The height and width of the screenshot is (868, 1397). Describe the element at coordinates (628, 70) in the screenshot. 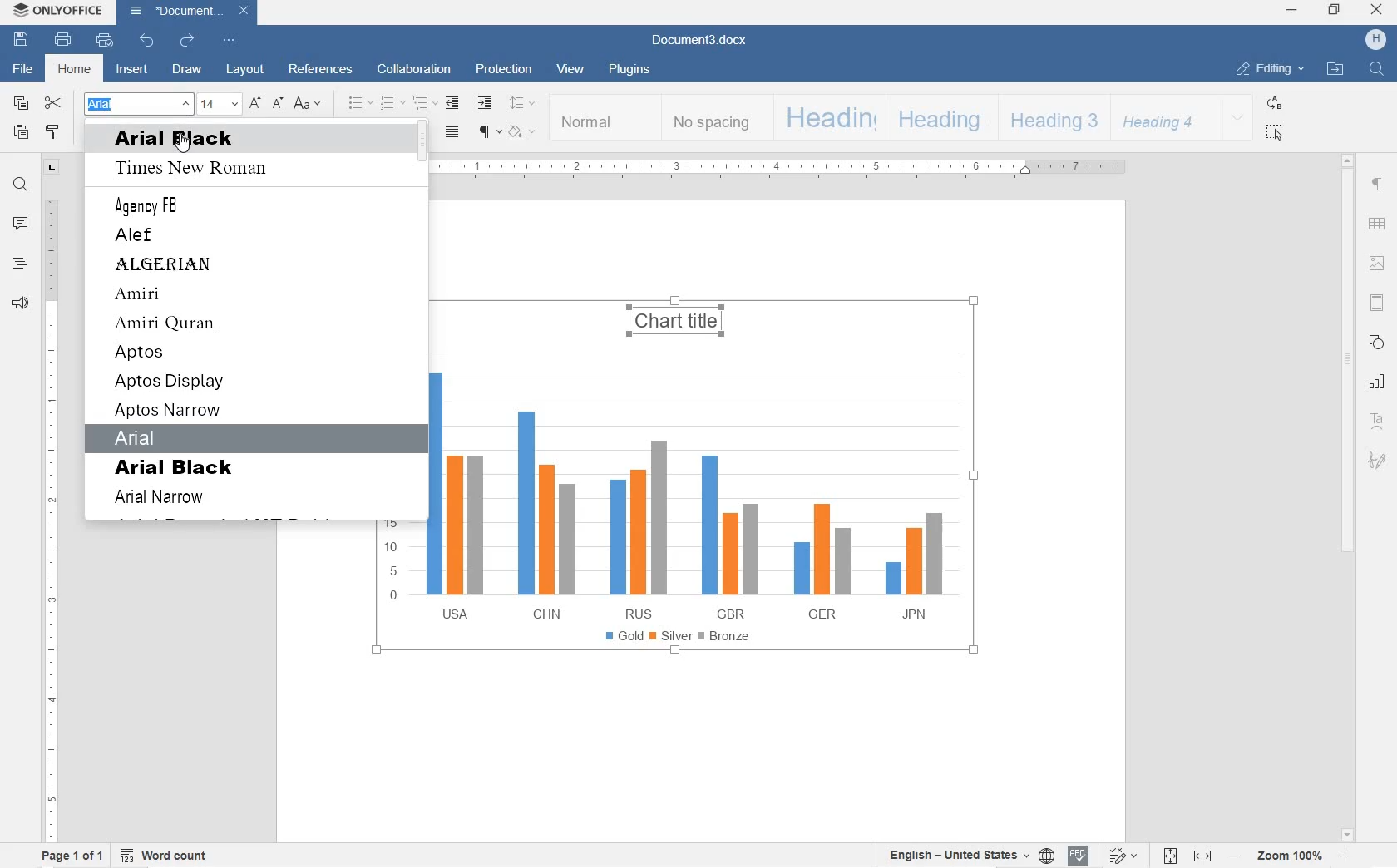

I see `PLUGINS` at that location.